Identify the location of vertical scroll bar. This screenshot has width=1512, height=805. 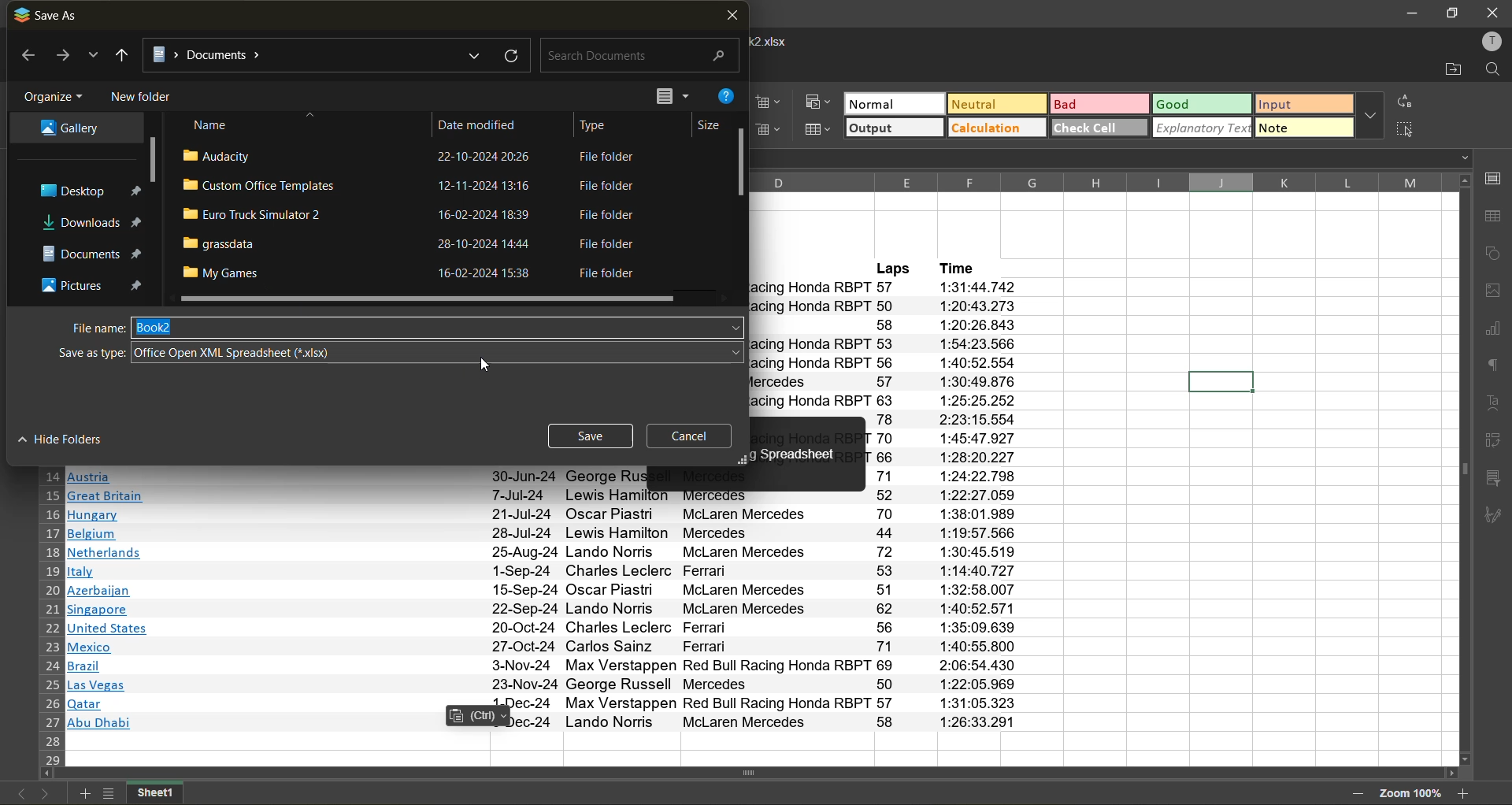
(742, 163).